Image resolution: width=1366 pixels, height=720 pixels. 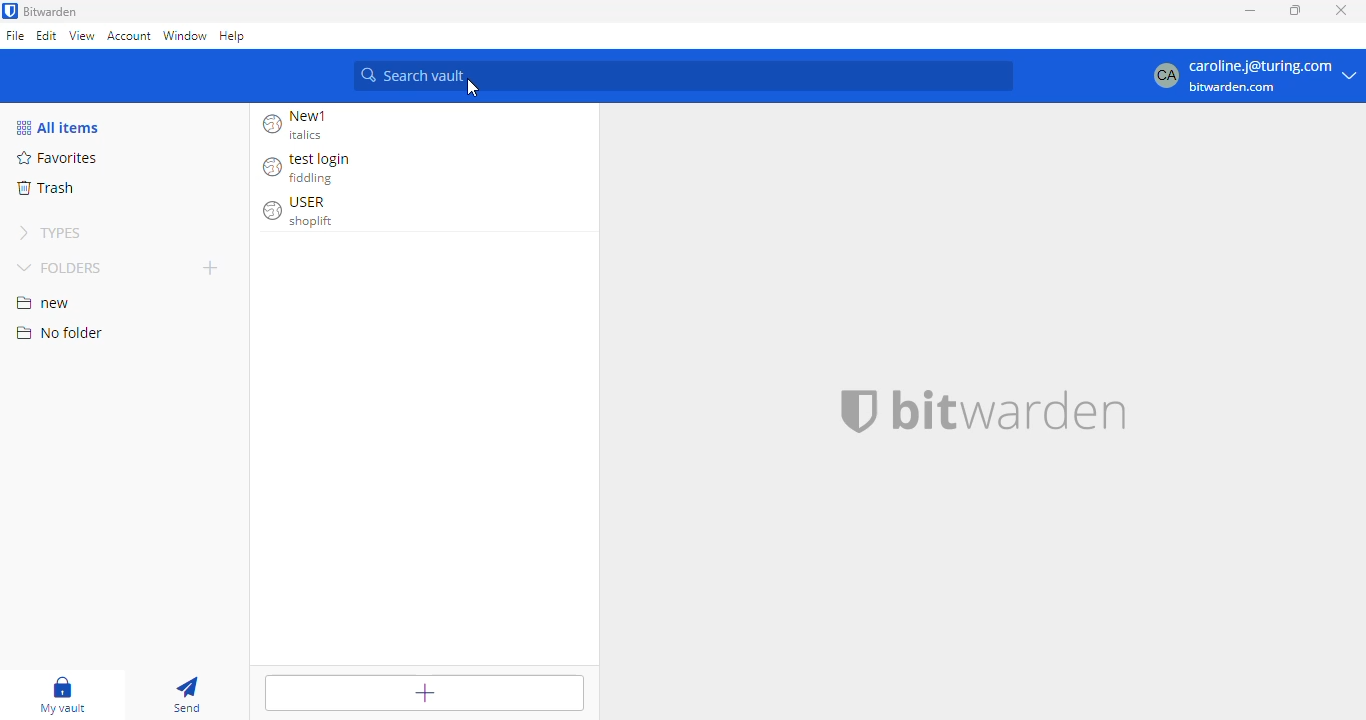 I want to click on window, so click(x=184, y=36).